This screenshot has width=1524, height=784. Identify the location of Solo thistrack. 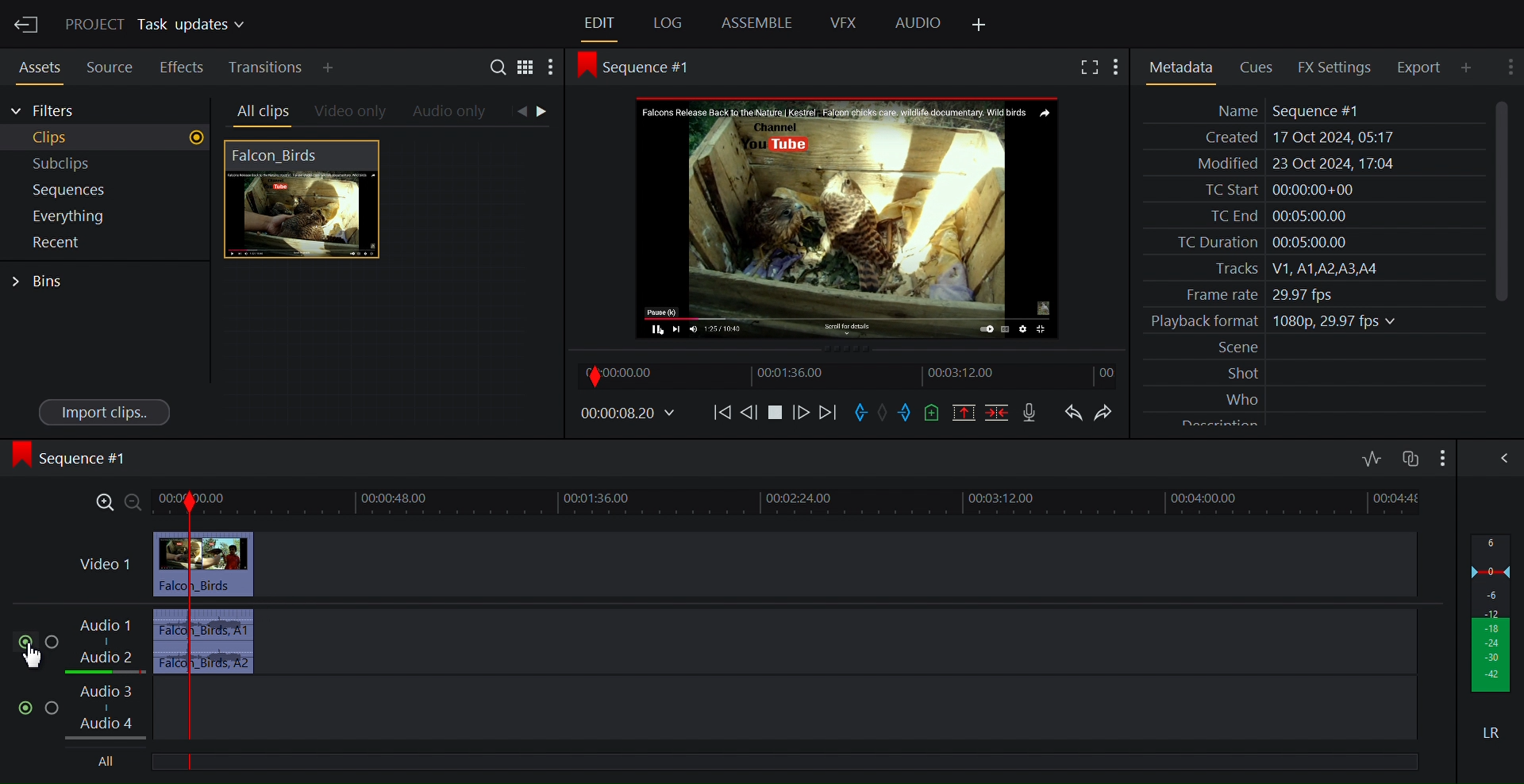
(55, 644).